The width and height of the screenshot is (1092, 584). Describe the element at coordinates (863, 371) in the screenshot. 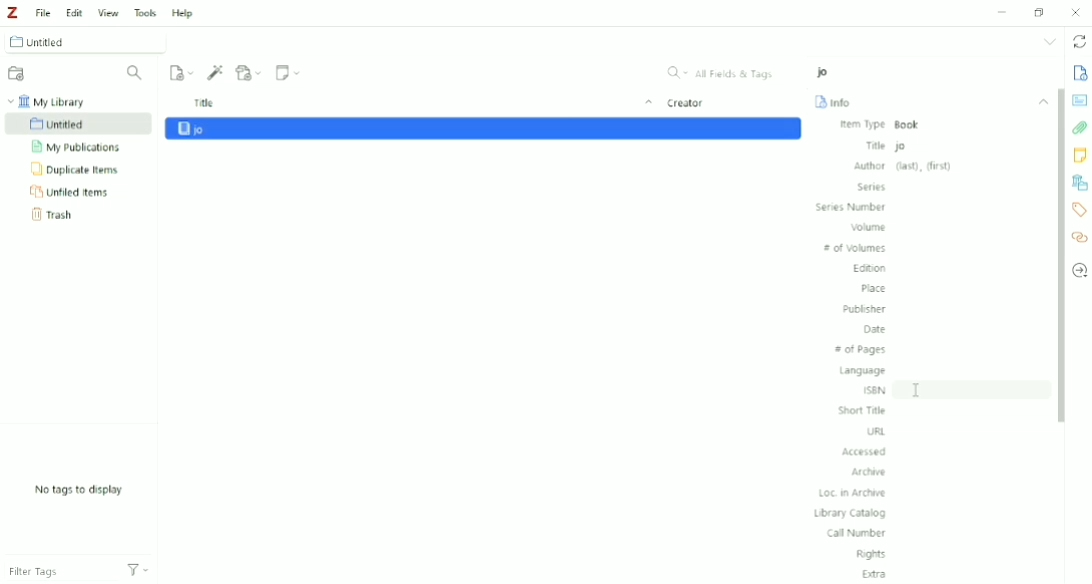

I see `Language` at that location.